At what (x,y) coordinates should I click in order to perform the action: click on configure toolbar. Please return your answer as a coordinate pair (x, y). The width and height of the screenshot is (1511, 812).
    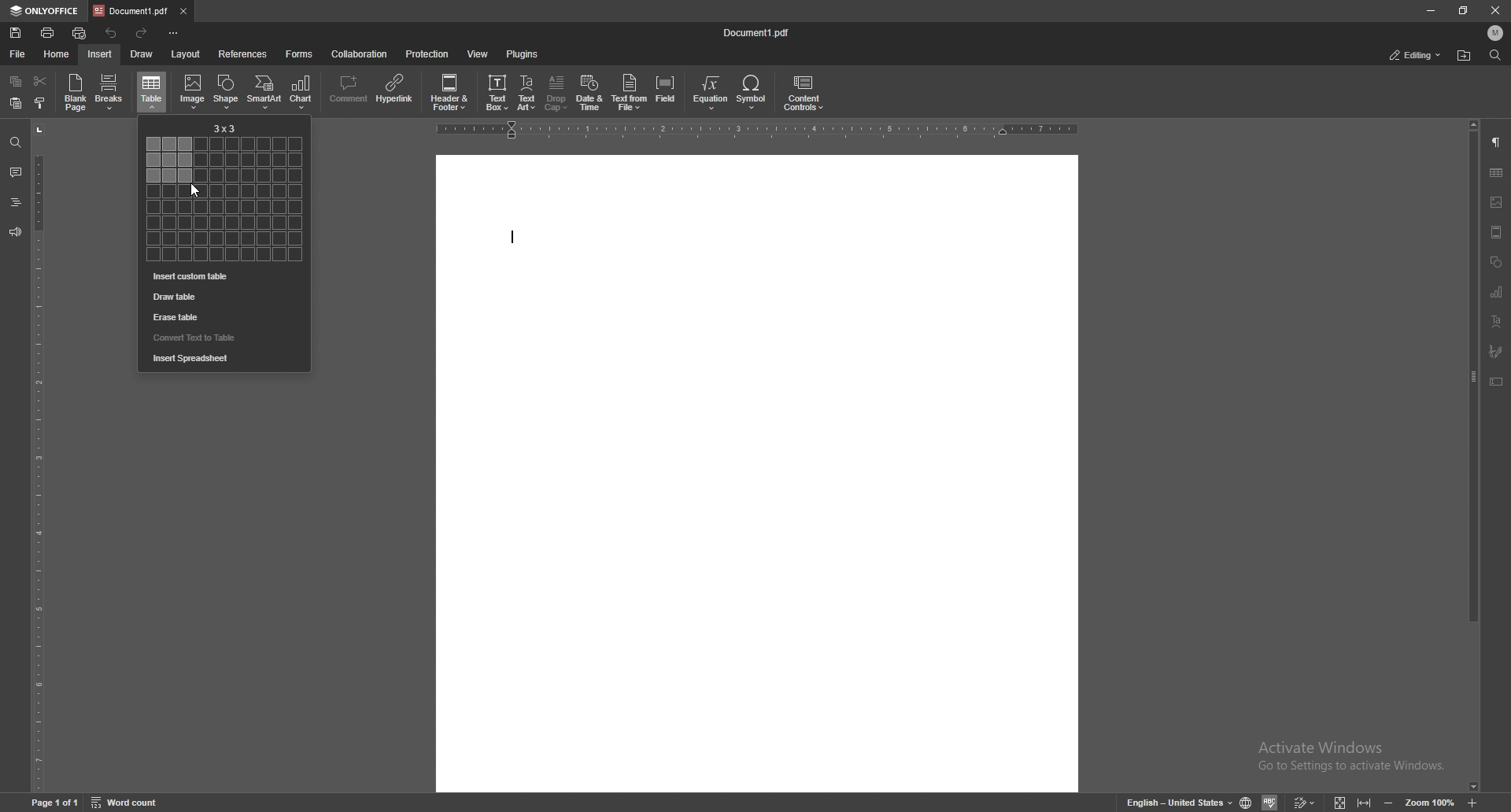
    Looking at the image, I should click on (175, 34).